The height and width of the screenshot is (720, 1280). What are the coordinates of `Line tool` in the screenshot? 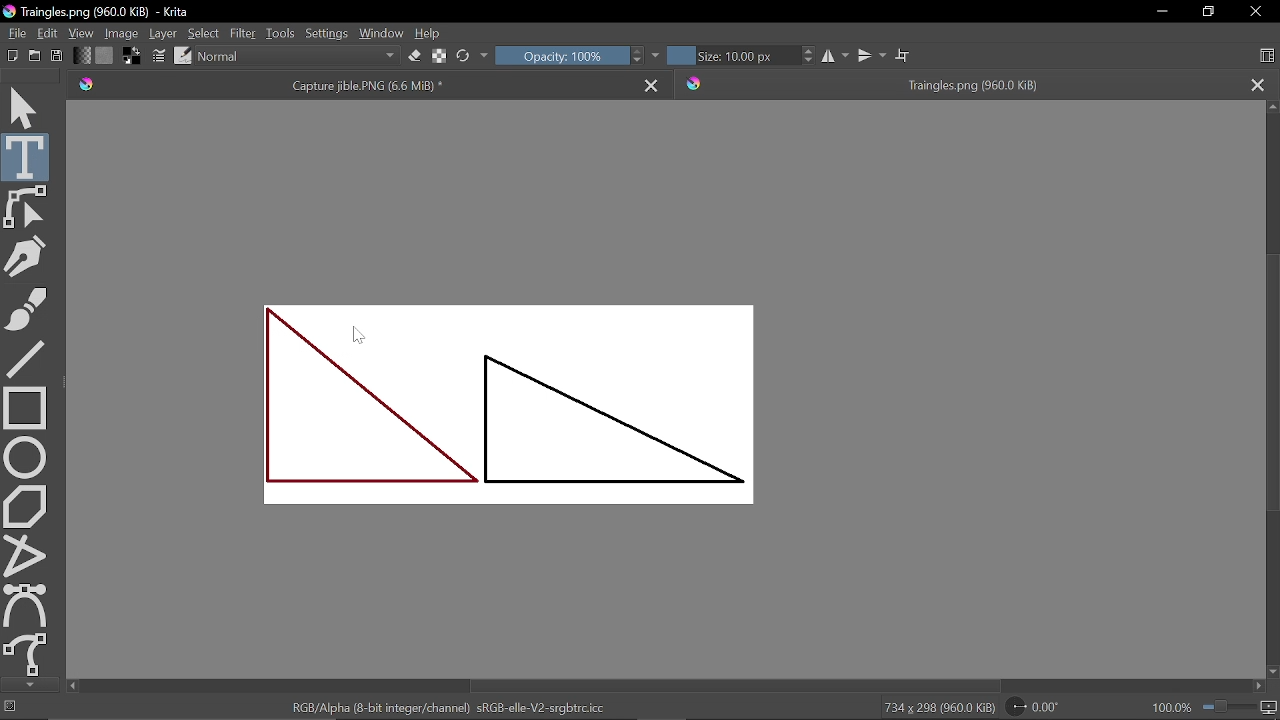 It's located at (26, 357).